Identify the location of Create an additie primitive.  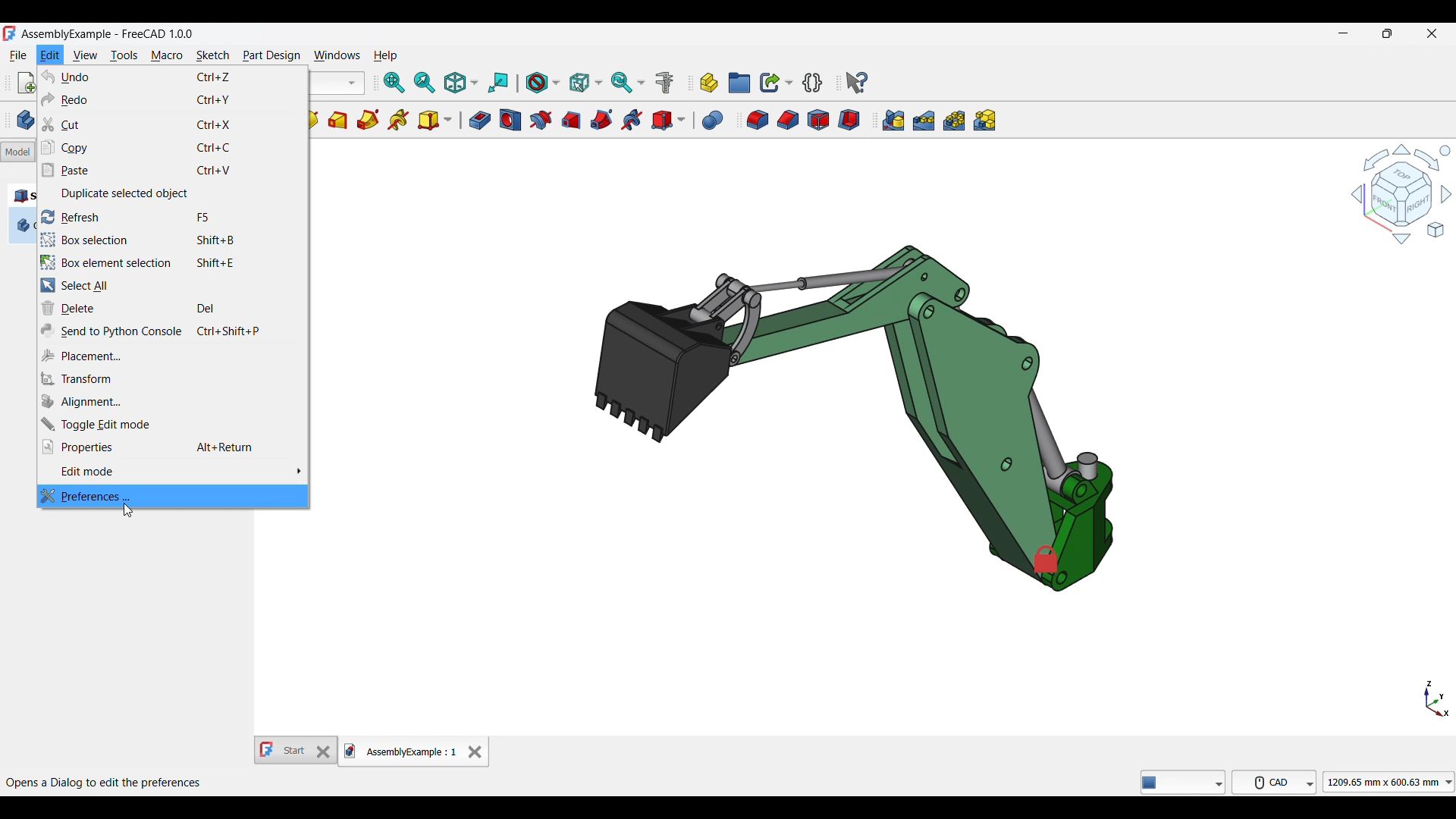
(435, 121).